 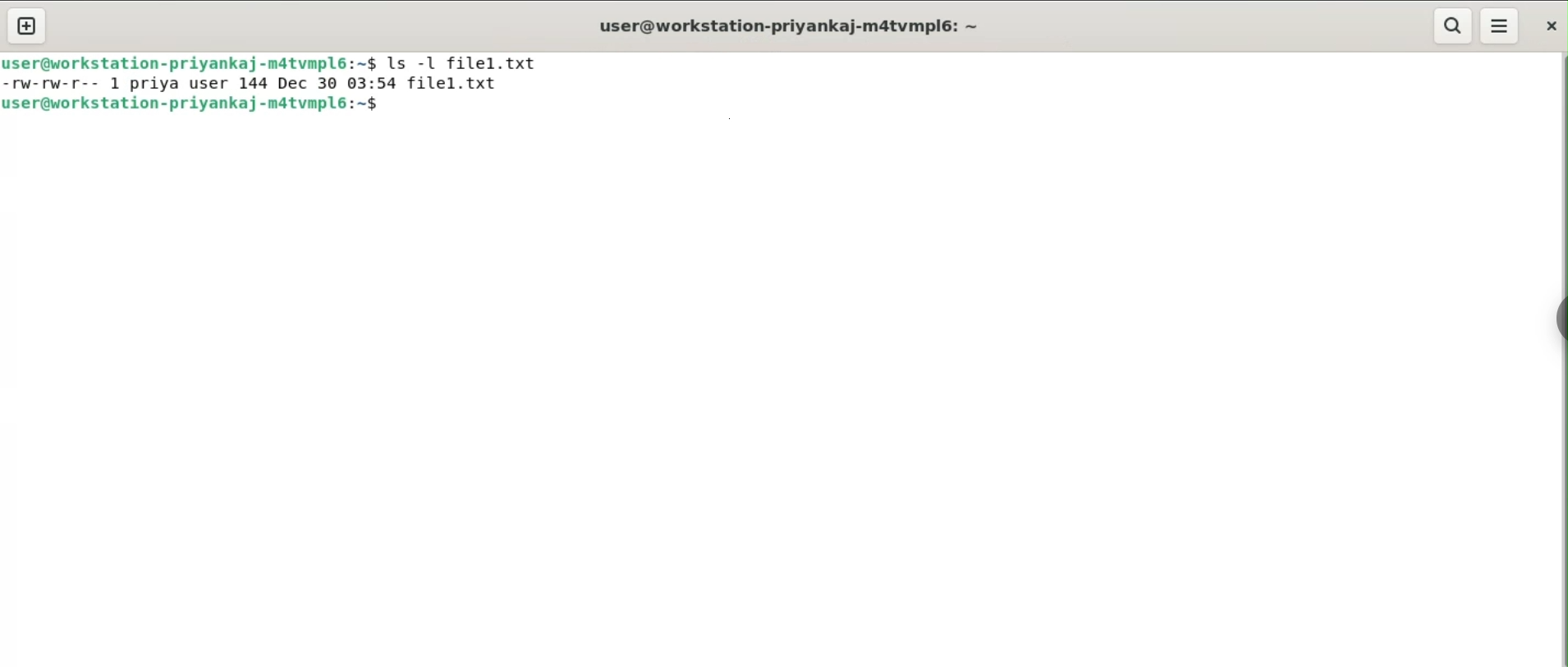 I want to click on user@workstation-priyankaj-m4tvmpl6: ~, so click(x=786, y=28).